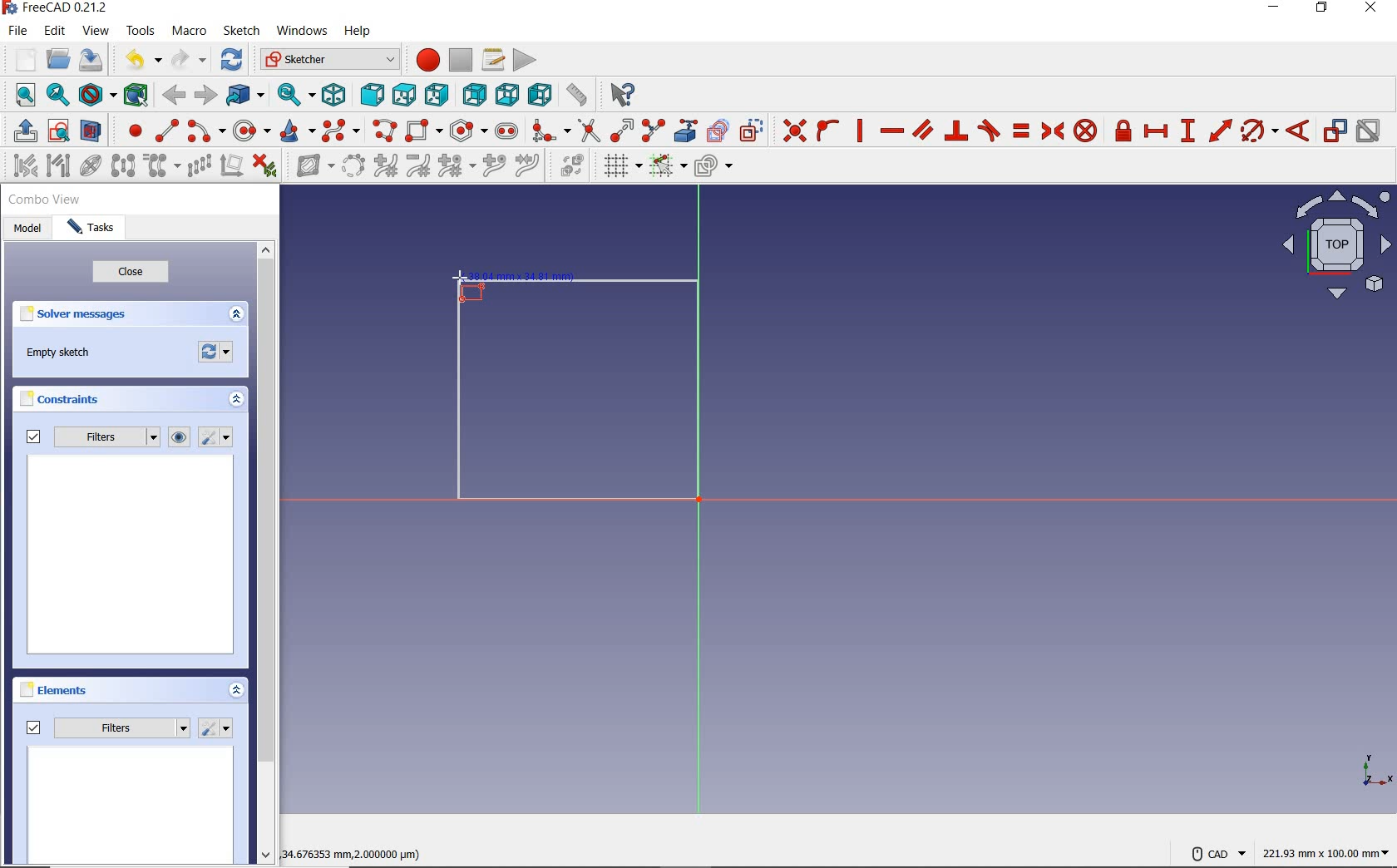 The width and height of the screenshot is (1397, 868). What do you see at coordinates (1158, 131) in the screenshot?
I see `constrain horizontal ditance` at bounding box center [1158, 131].